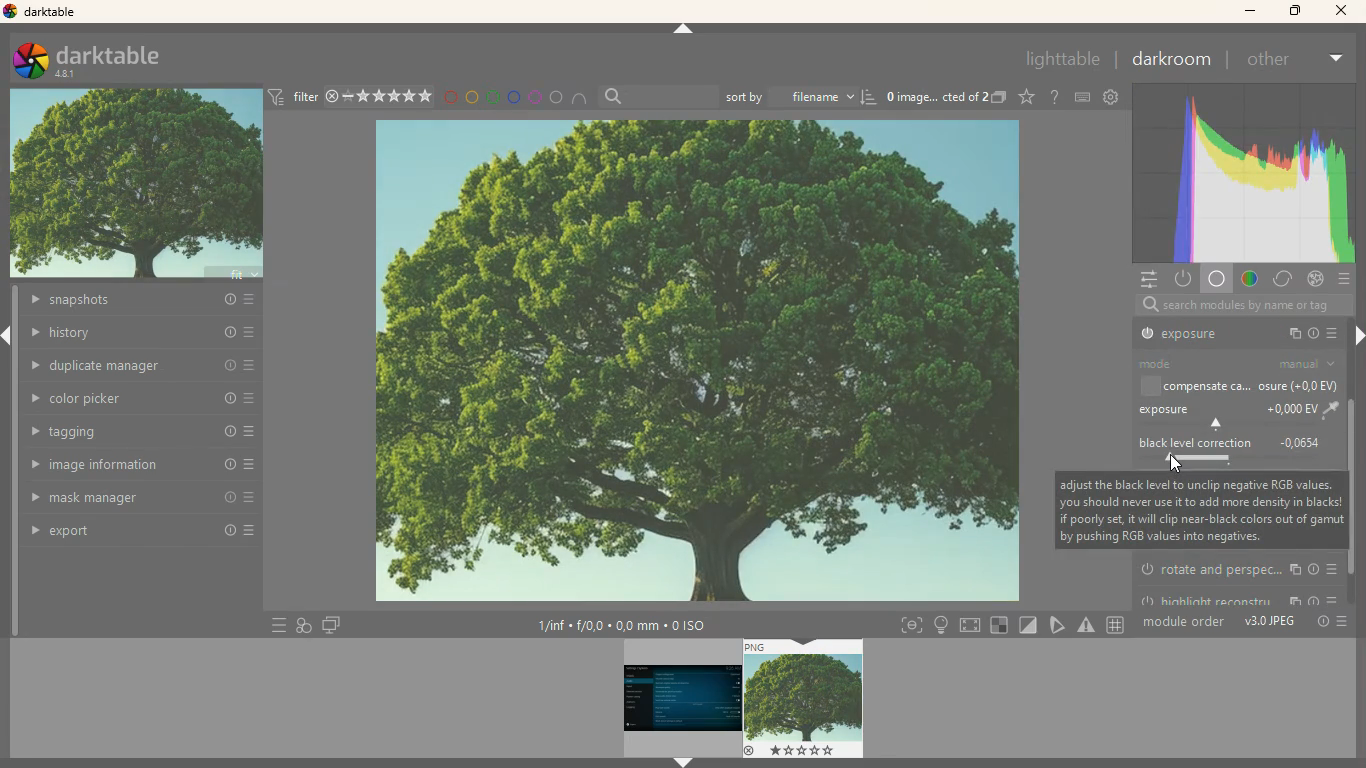 This screenshot has width=1366, height=768. Describe the element at coordinates (578, 98) in the screenshot. I see `semi circle` at that location.